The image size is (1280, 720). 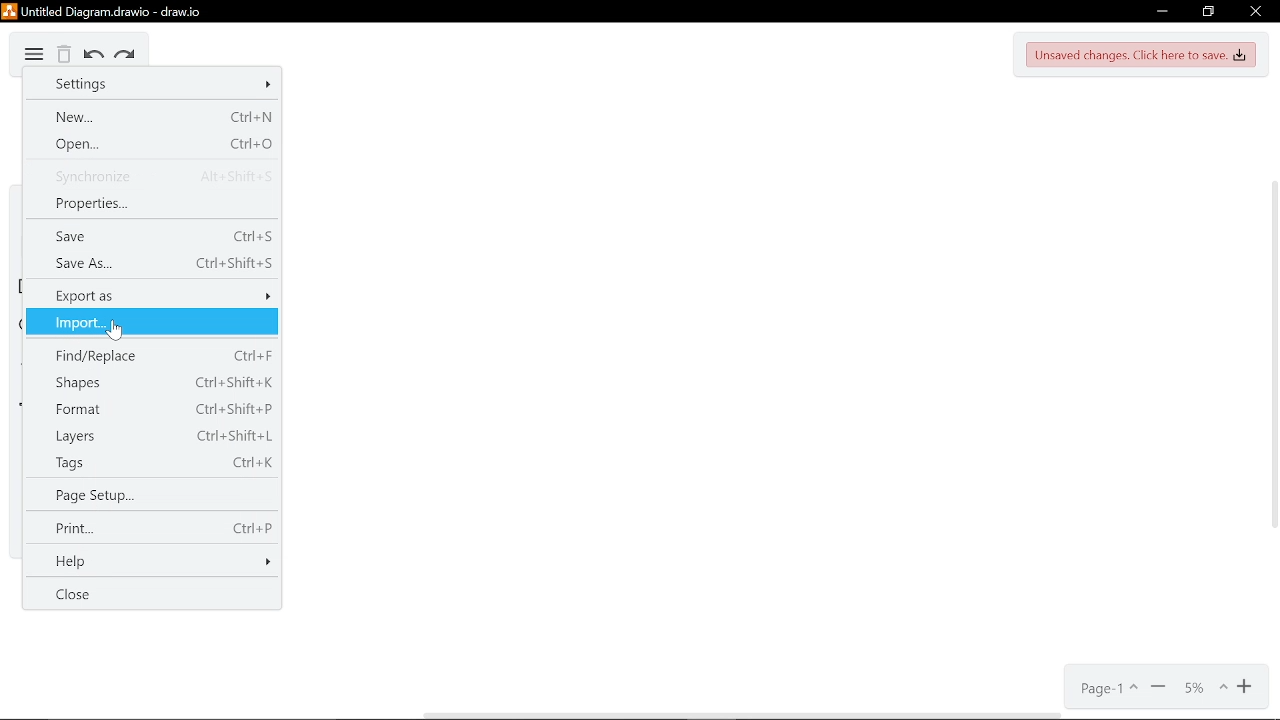 I want to click on Save, so click(x=150, y=264).